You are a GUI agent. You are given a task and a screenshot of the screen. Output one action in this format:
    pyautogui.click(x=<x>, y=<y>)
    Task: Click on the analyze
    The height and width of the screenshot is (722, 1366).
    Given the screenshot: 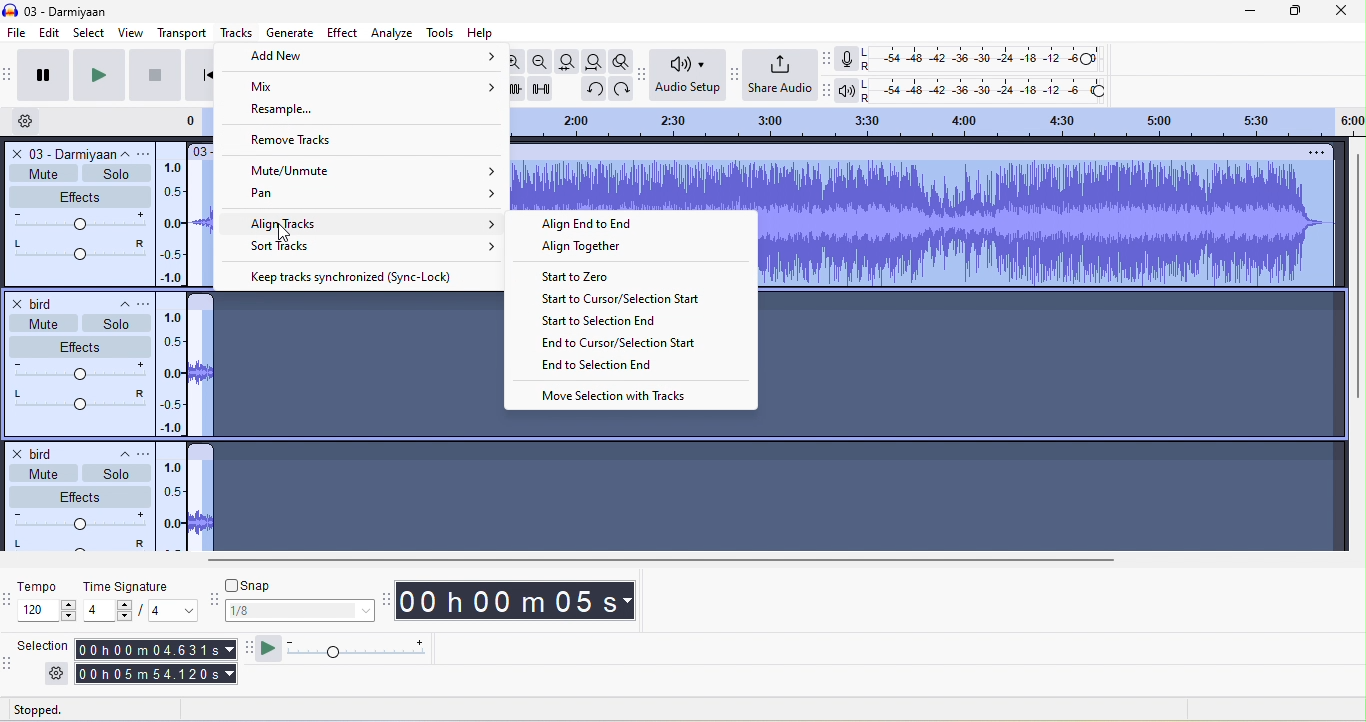 What is the action you would take?
    pyautogui.click(x=393, y=34)
    